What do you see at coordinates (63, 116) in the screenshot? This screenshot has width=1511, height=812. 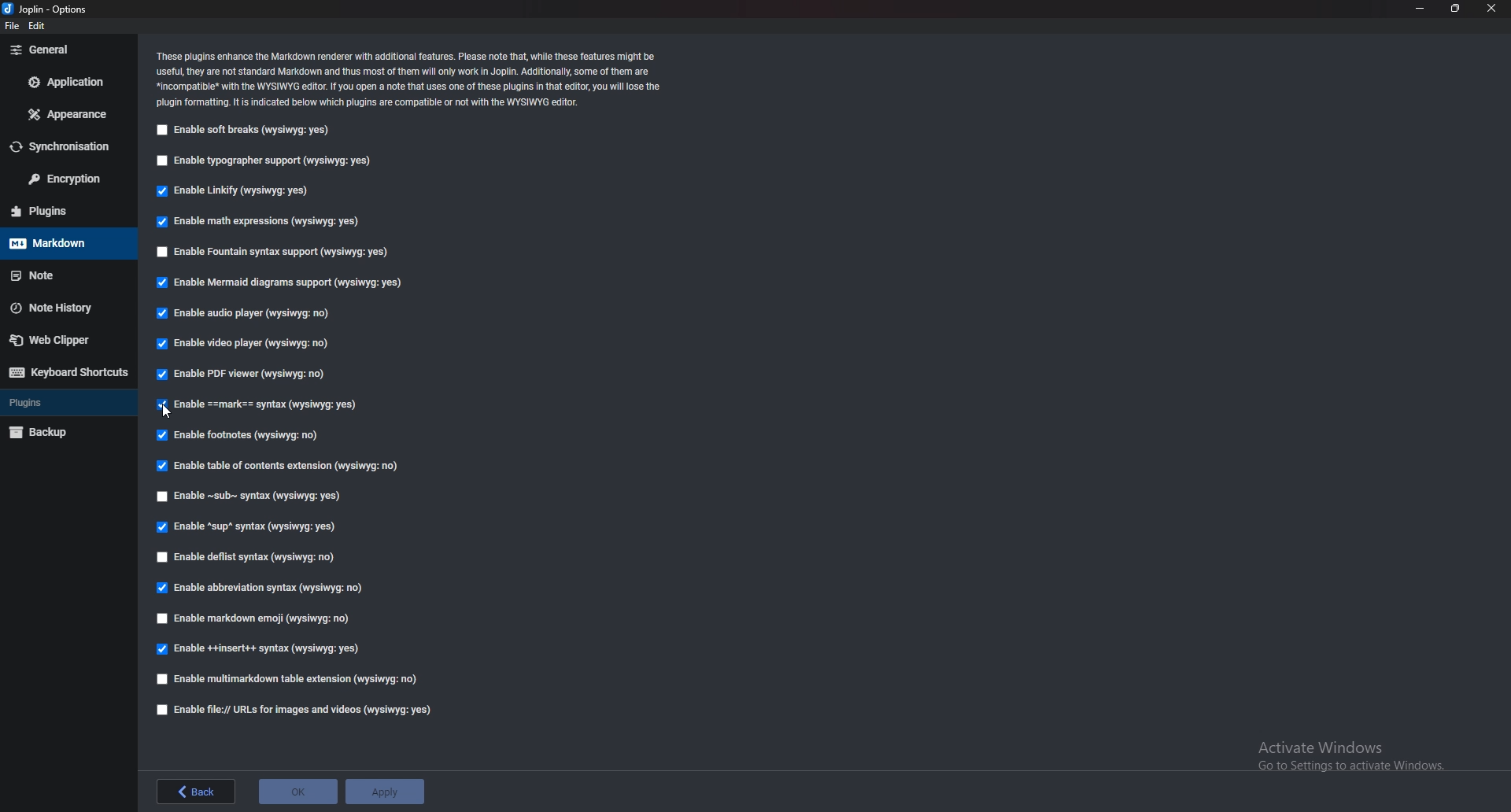 I see `Appearance` at bounding box center [63, 116].